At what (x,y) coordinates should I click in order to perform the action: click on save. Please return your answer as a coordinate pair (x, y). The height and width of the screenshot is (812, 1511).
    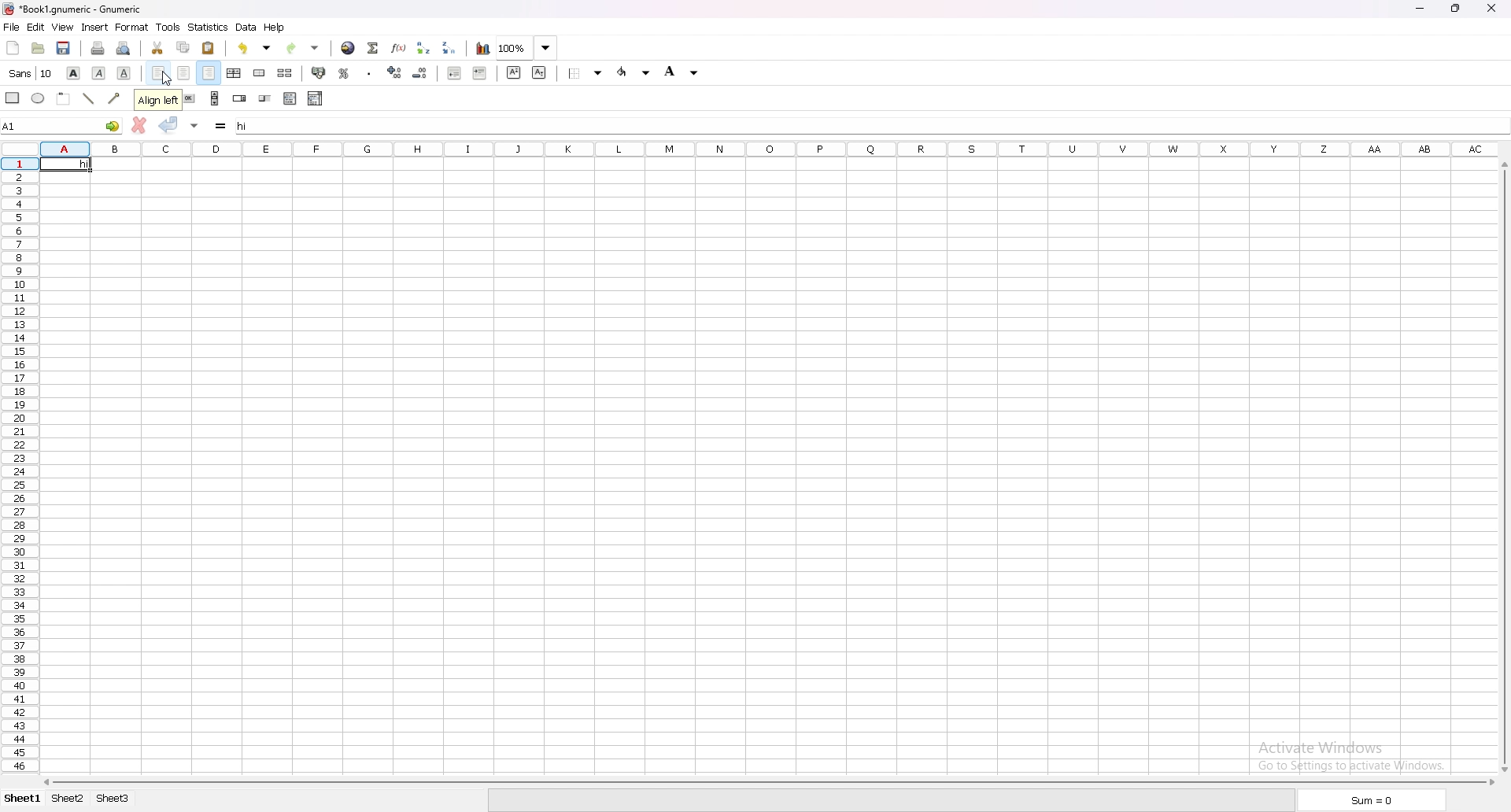
    Looking at the image, I should click on (64, 48).